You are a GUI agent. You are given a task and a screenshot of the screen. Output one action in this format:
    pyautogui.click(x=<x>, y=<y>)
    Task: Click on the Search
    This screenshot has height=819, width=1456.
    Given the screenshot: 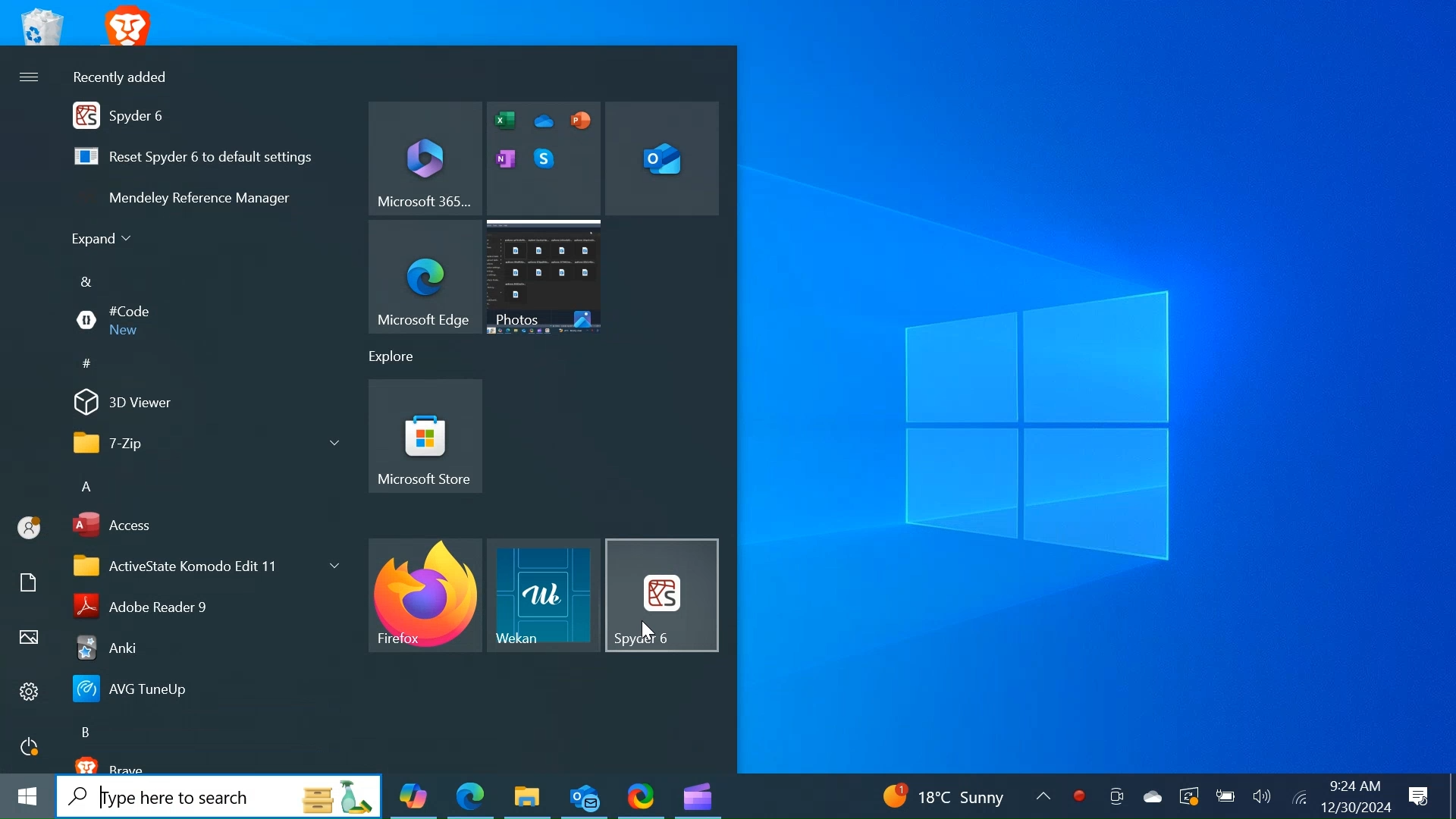 What is the action you would take?
    pyautogui.click(x=219, y=797)
    